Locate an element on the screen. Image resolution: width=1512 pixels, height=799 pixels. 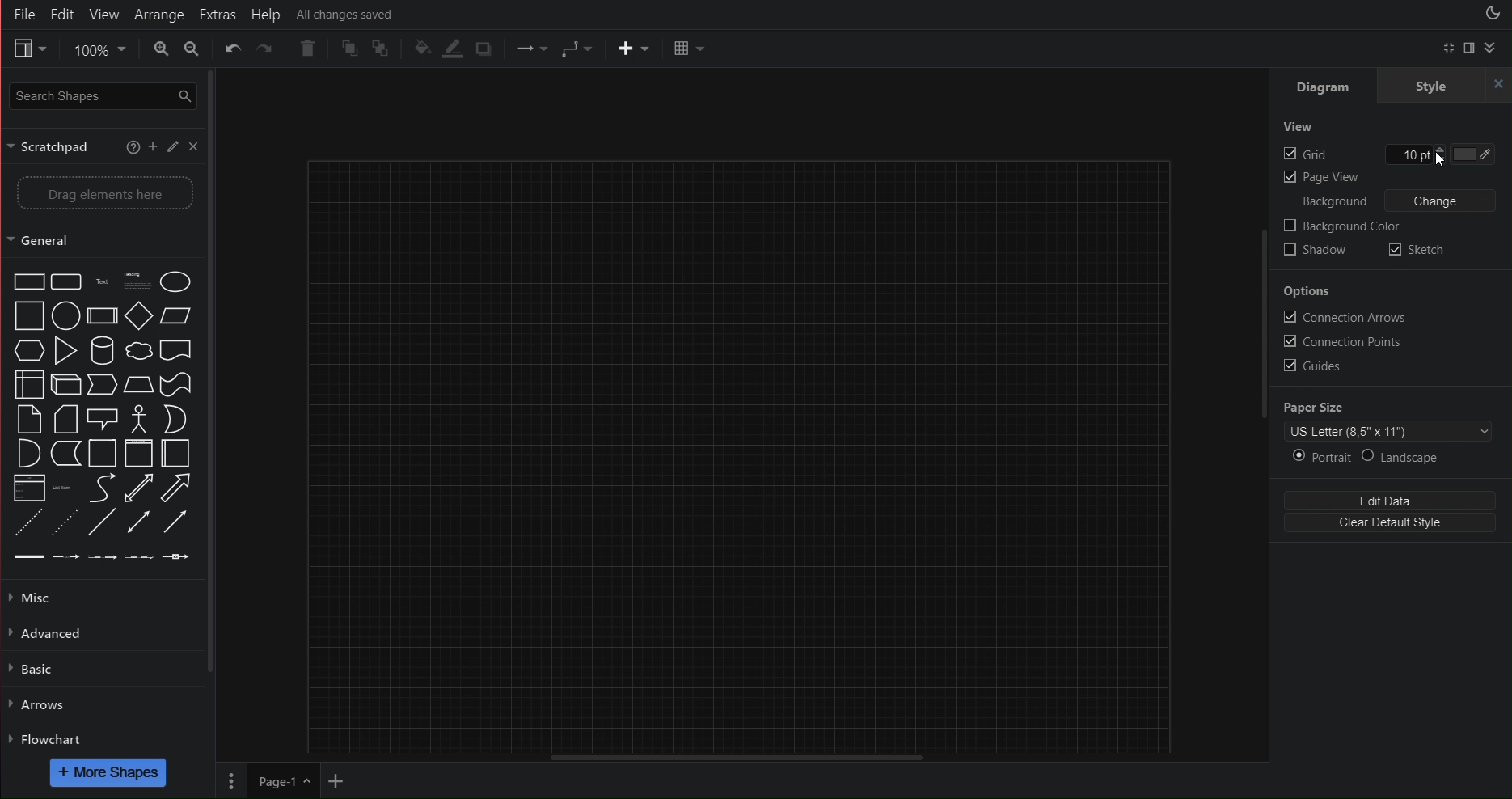
Connection Arrows is located at coordinates (1338, 315).